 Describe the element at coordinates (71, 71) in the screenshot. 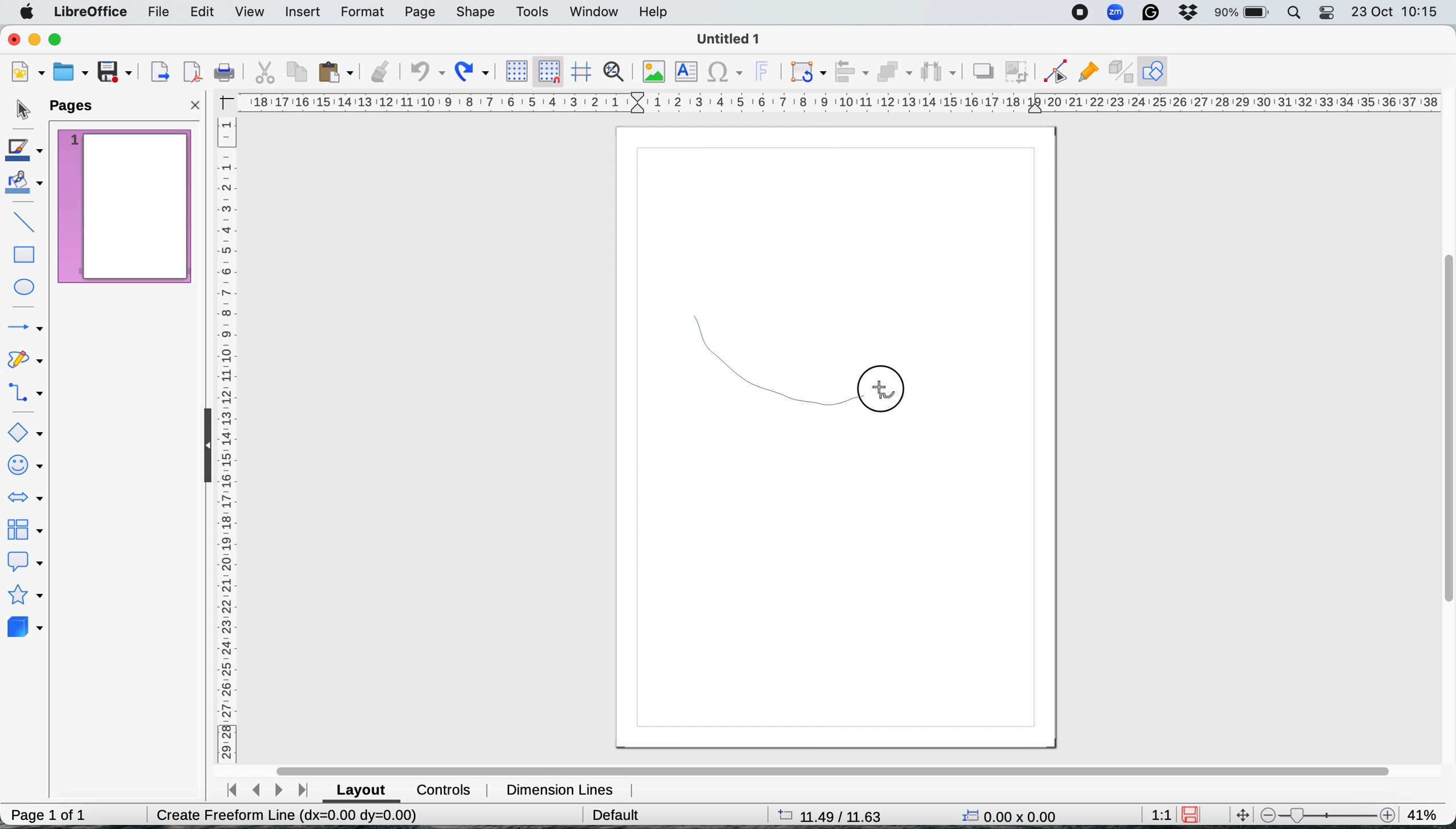

I see `open` at that location.